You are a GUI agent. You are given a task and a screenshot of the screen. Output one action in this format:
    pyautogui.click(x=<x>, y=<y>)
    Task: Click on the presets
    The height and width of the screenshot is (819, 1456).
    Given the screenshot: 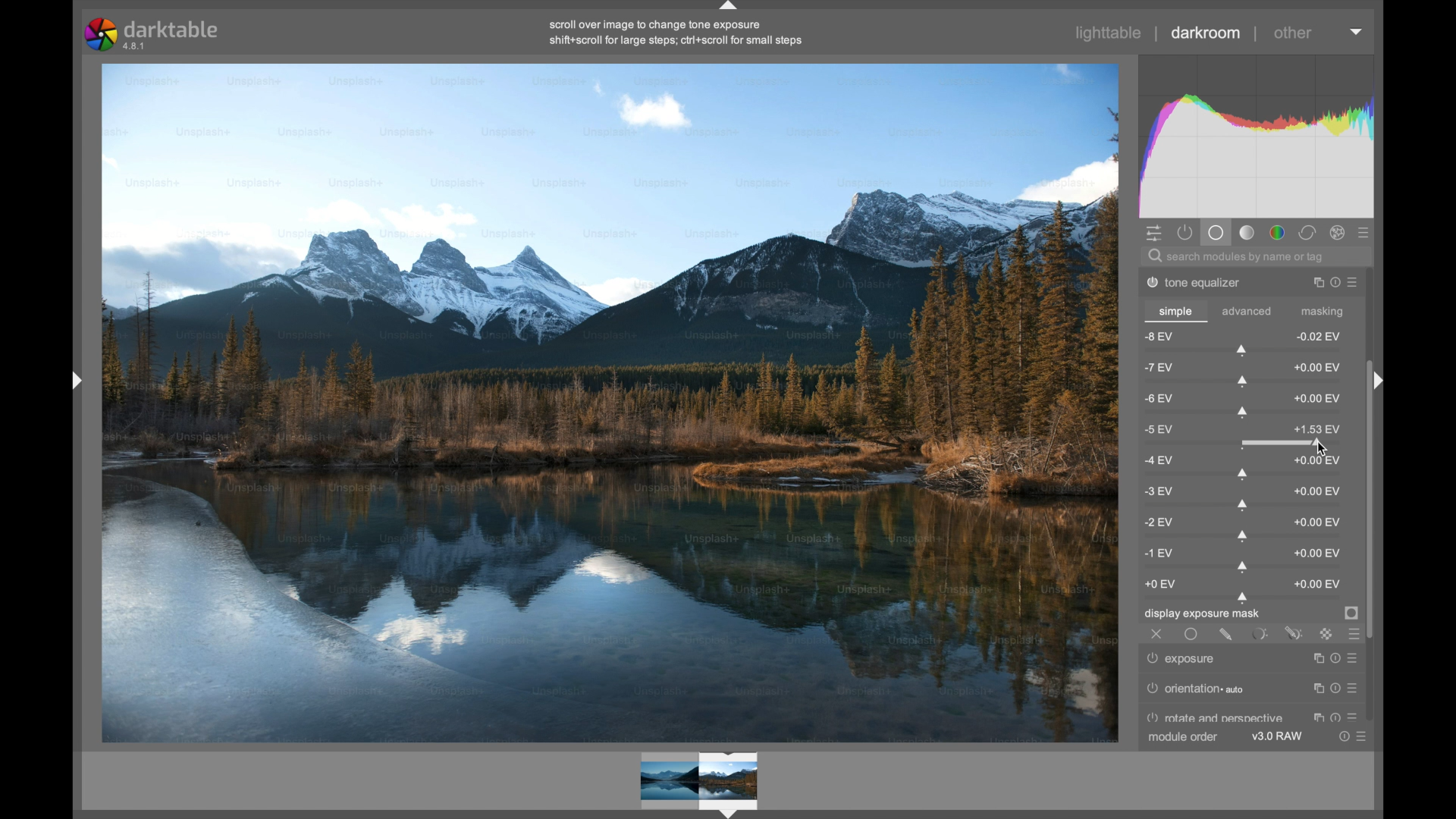 What is the action you would take?
    pyautogui.click(x=1367, y=233)
    